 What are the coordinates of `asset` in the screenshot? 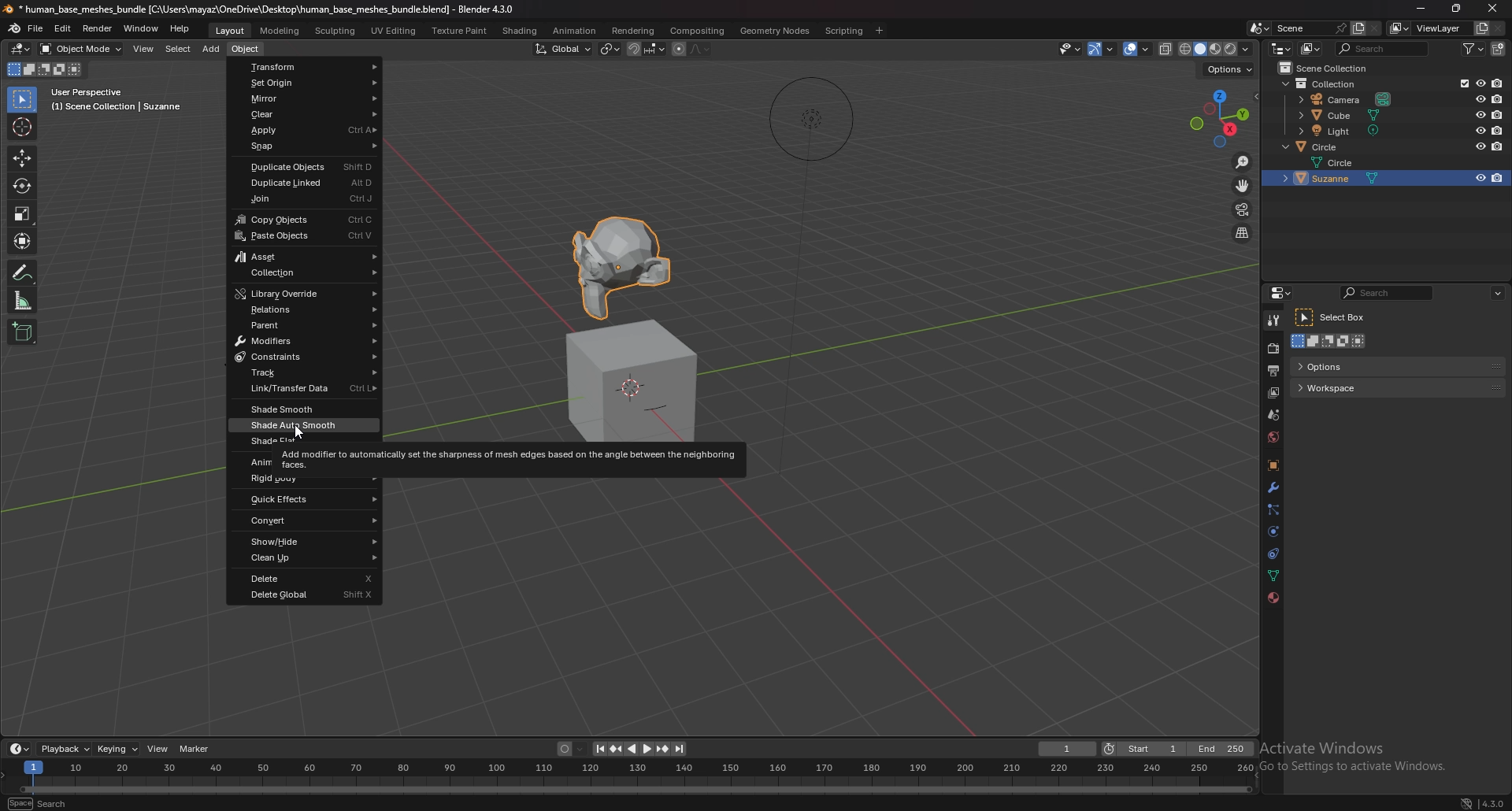 It's located at (306, 257).